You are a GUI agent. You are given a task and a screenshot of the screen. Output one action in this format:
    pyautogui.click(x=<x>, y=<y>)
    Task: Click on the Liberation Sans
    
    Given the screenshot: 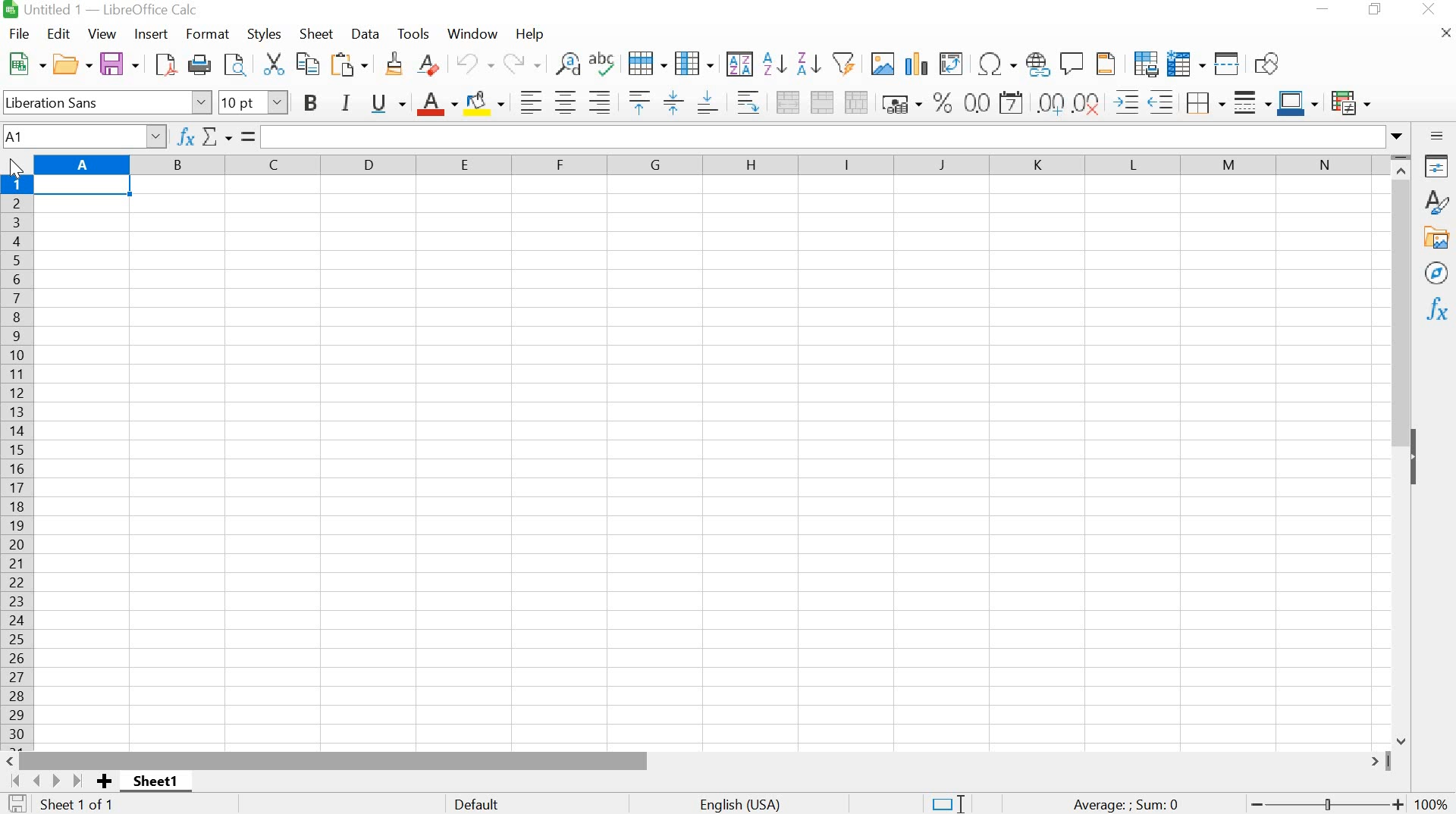 What is the action you would take?
    pyautogui.click(x=106, y=102)
    